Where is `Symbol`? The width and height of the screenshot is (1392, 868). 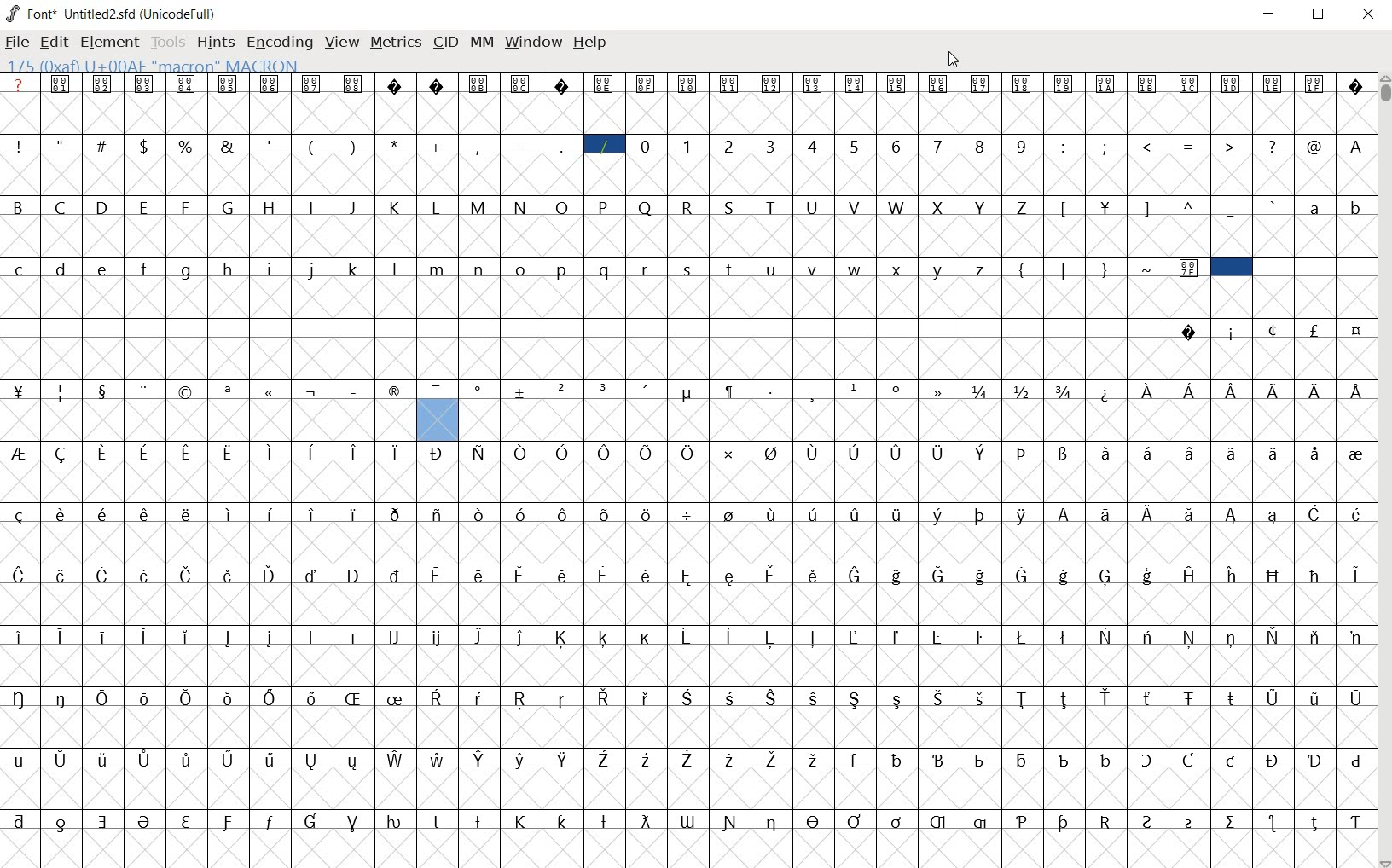
Symbol is located at coordinates (148, 698).